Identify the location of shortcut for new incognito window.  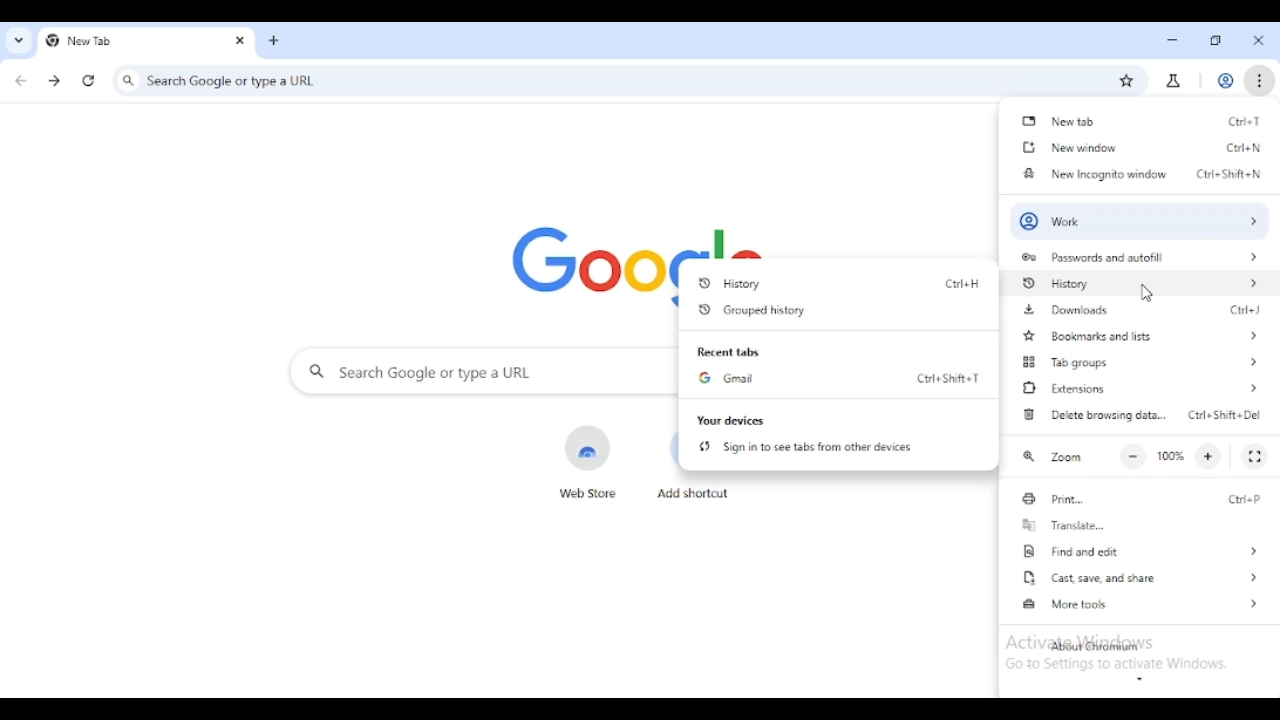
(1228, 174).